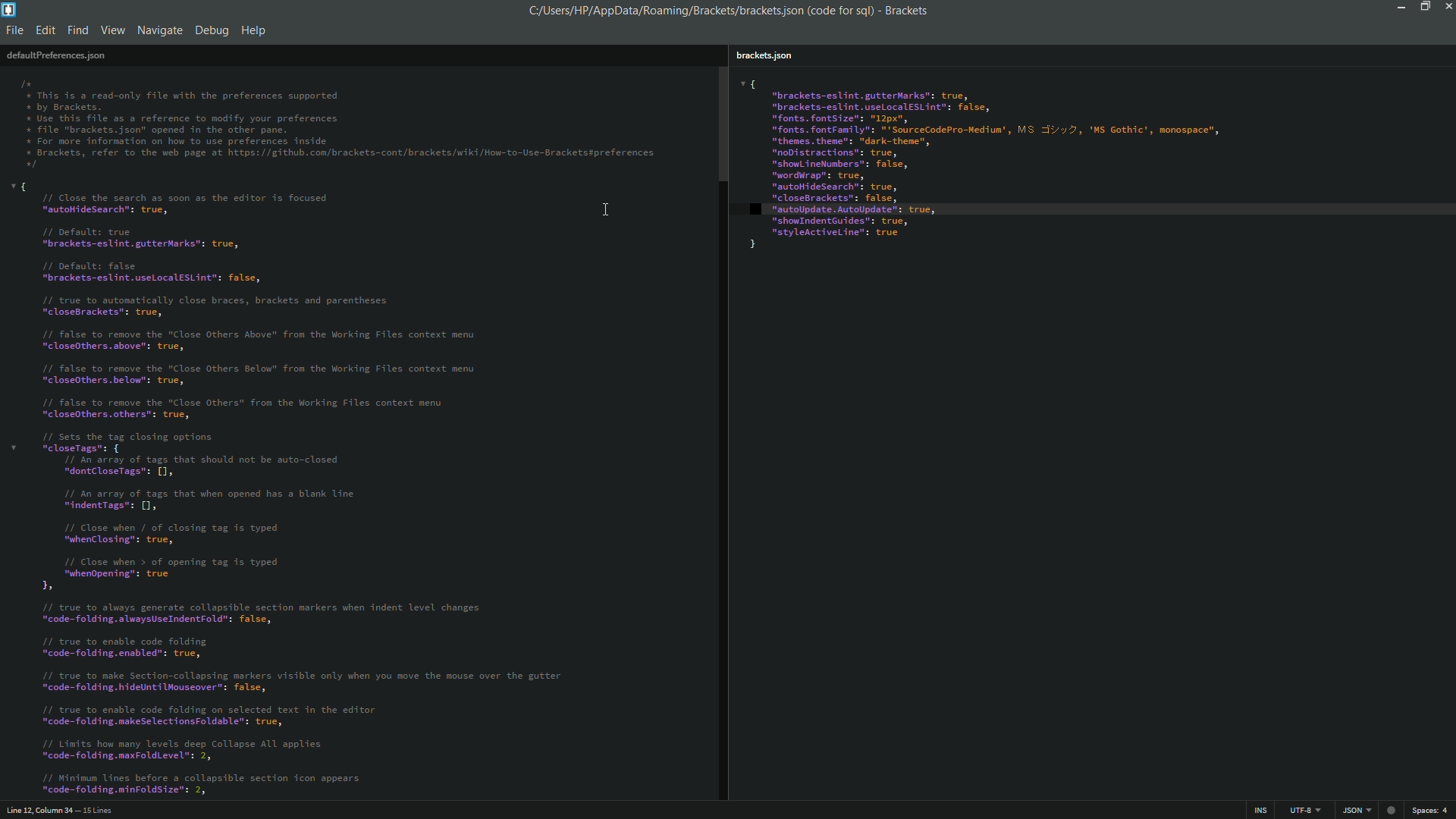 The width and height of the screenshot is (1456, 819). I want to click on help menu, so click(255, 30).